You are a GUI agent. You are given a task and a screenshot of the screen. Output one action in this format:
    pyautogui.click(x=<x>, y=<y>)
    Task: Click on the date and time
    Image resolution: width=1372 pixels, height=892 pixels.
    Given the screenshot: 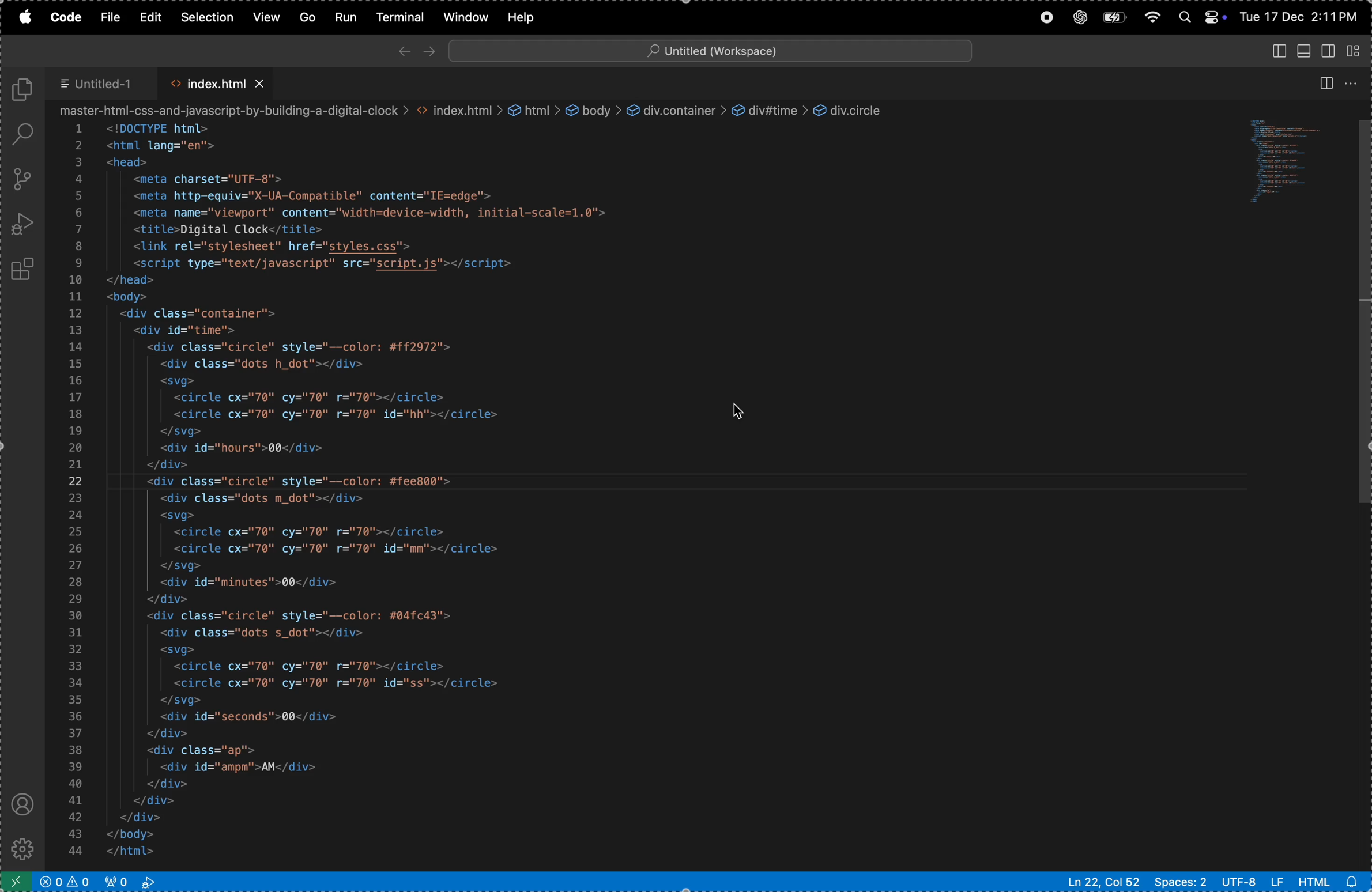 What is the action you would take?
    pyautogui.click(x=1301, y=16)
    